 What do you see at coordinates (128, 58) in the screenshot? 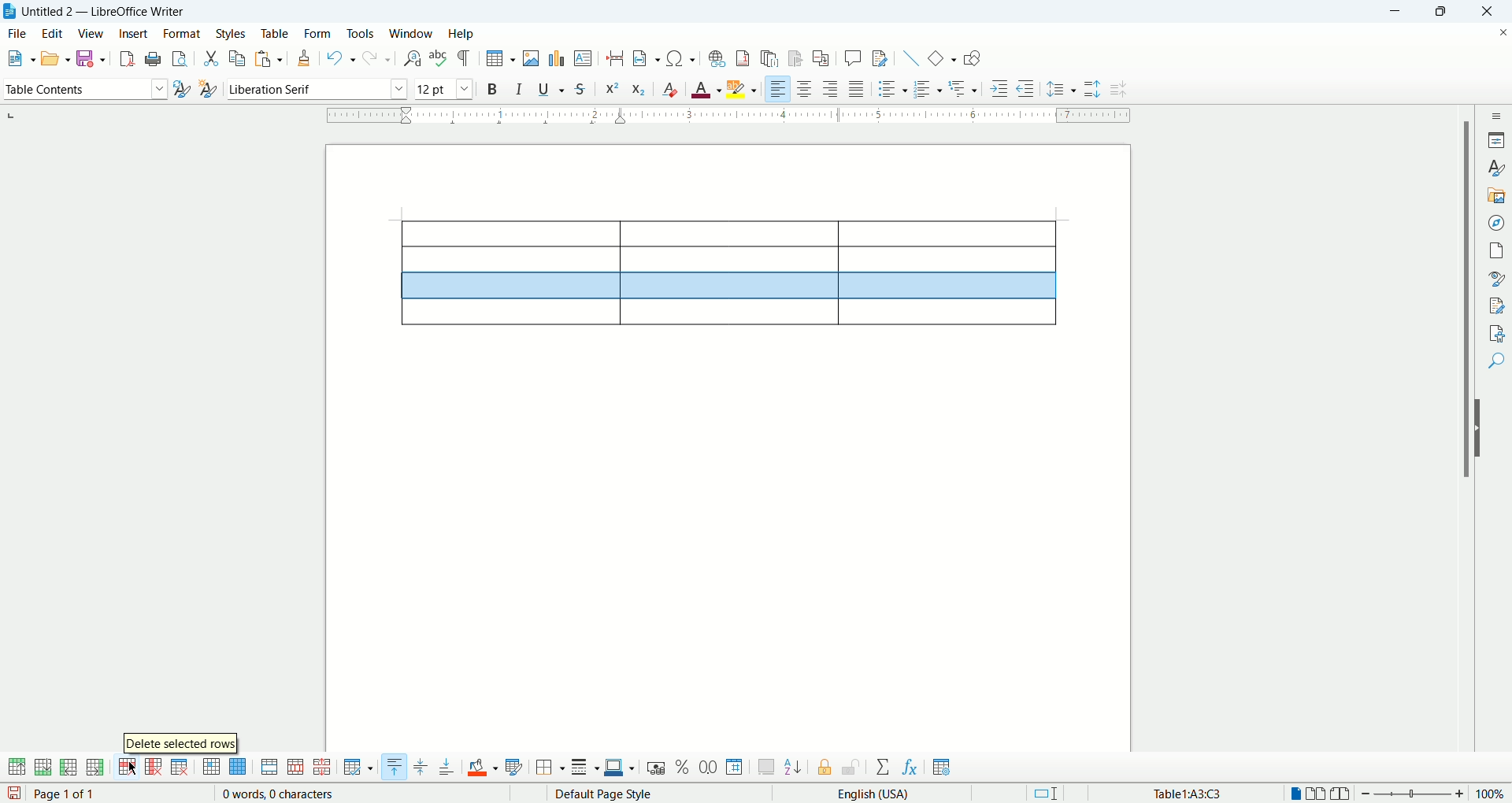
I see `export as PDF` at bounding box center [128, 58].